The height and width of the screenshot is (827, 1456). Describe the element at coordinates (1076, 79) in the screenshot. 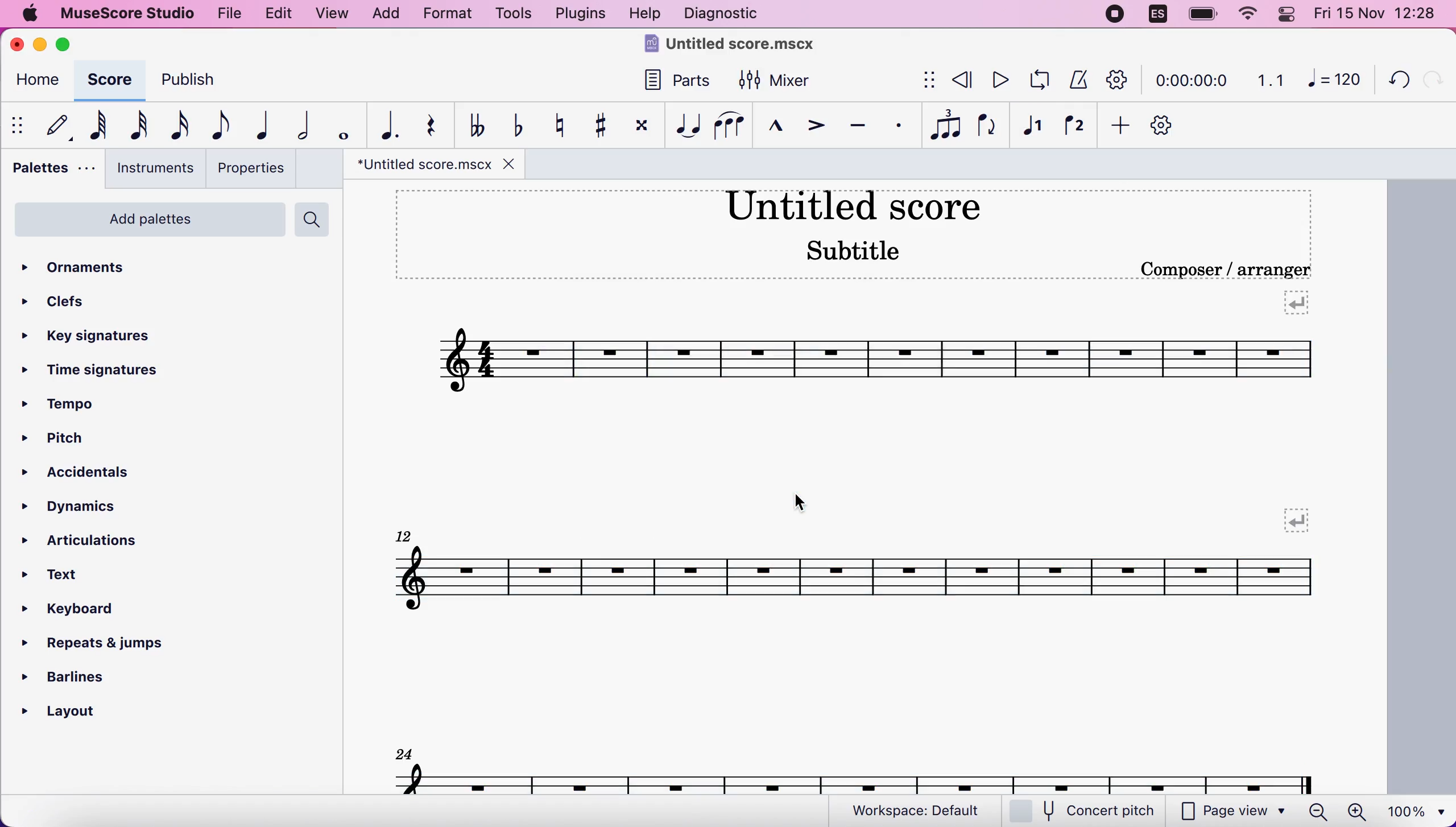

I see `metronome` at that location.